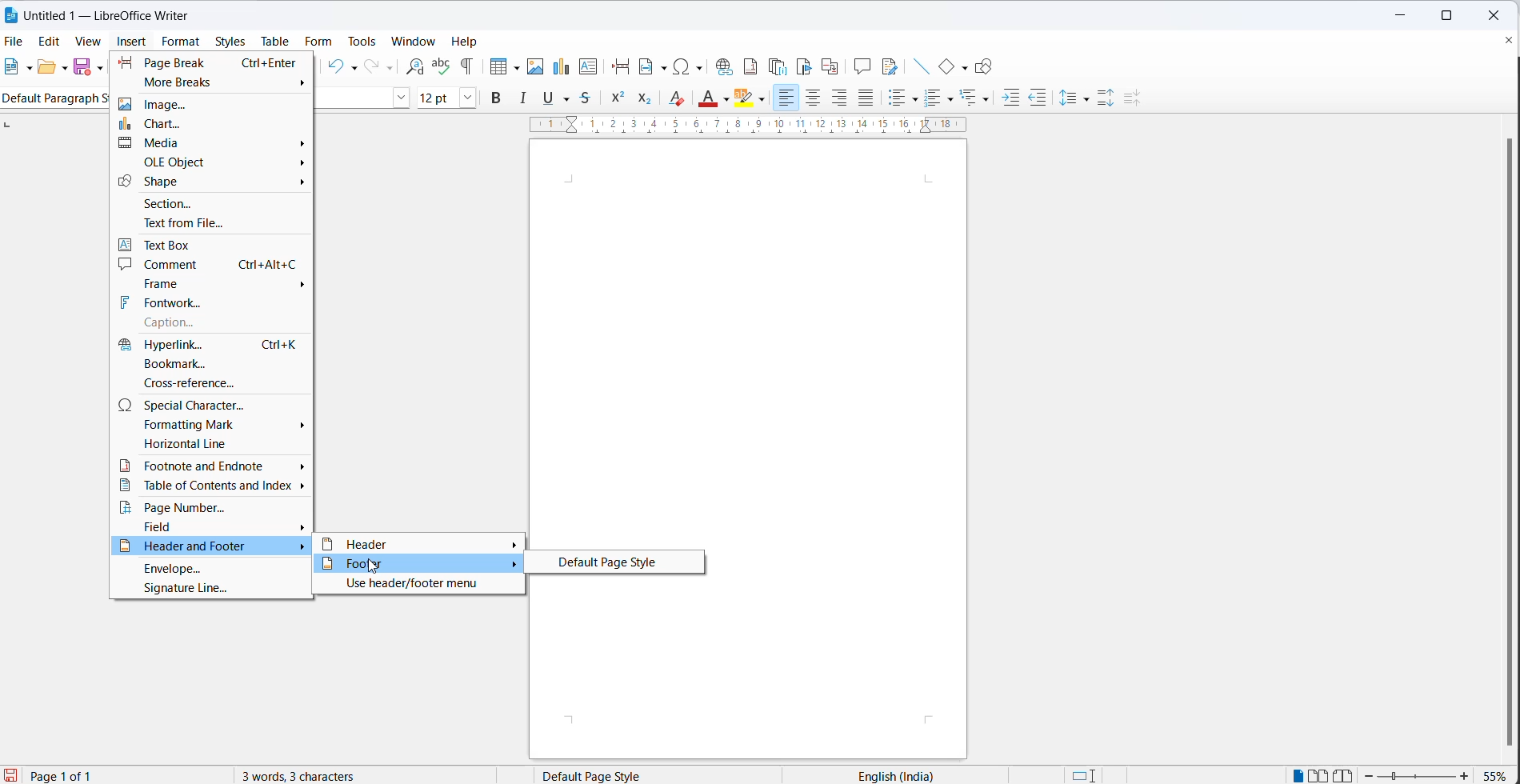  I want to click on insert bookmark, so click(802, 66).